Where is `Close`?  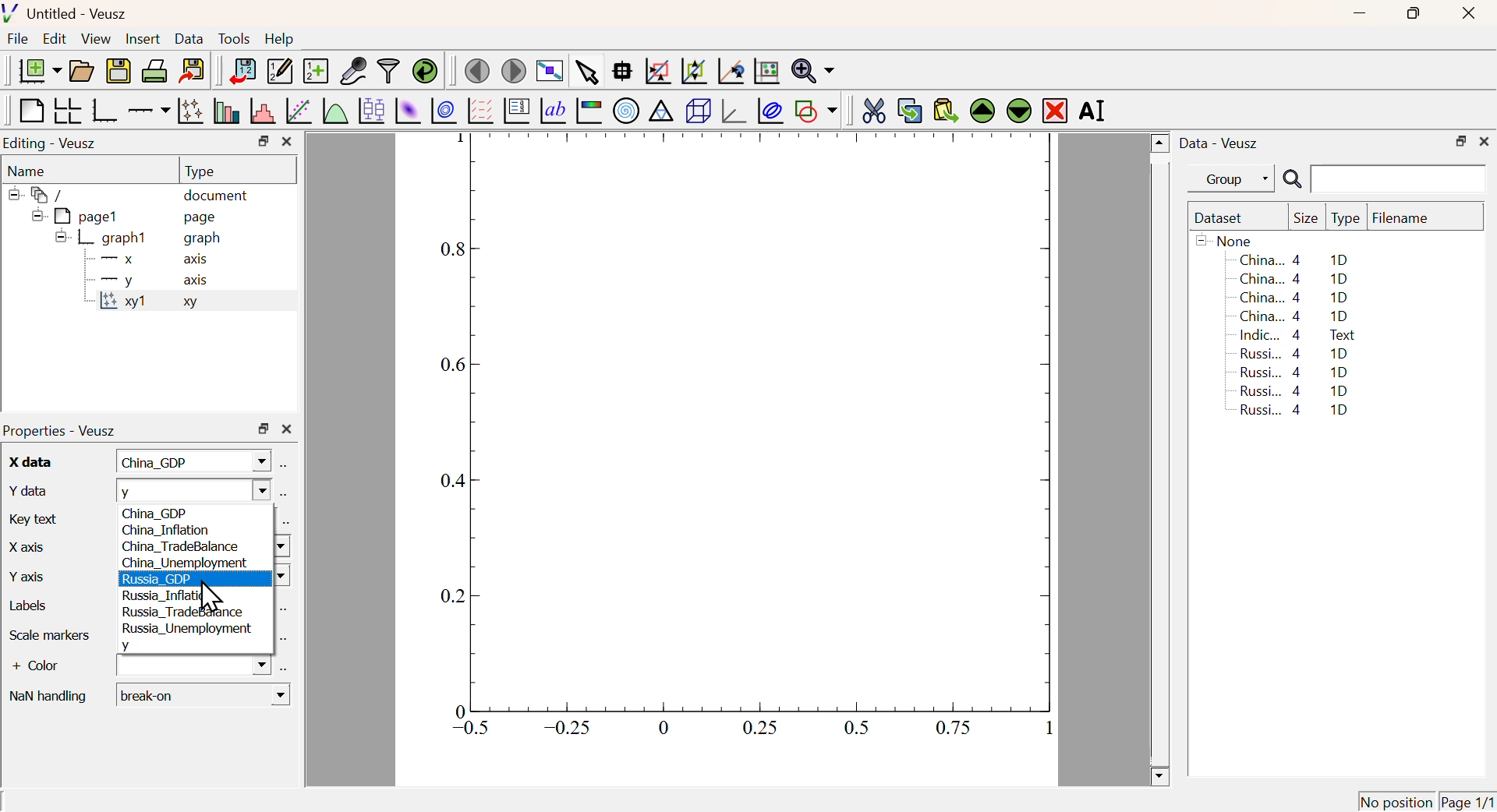 Close is located at coordinates (287, 142).